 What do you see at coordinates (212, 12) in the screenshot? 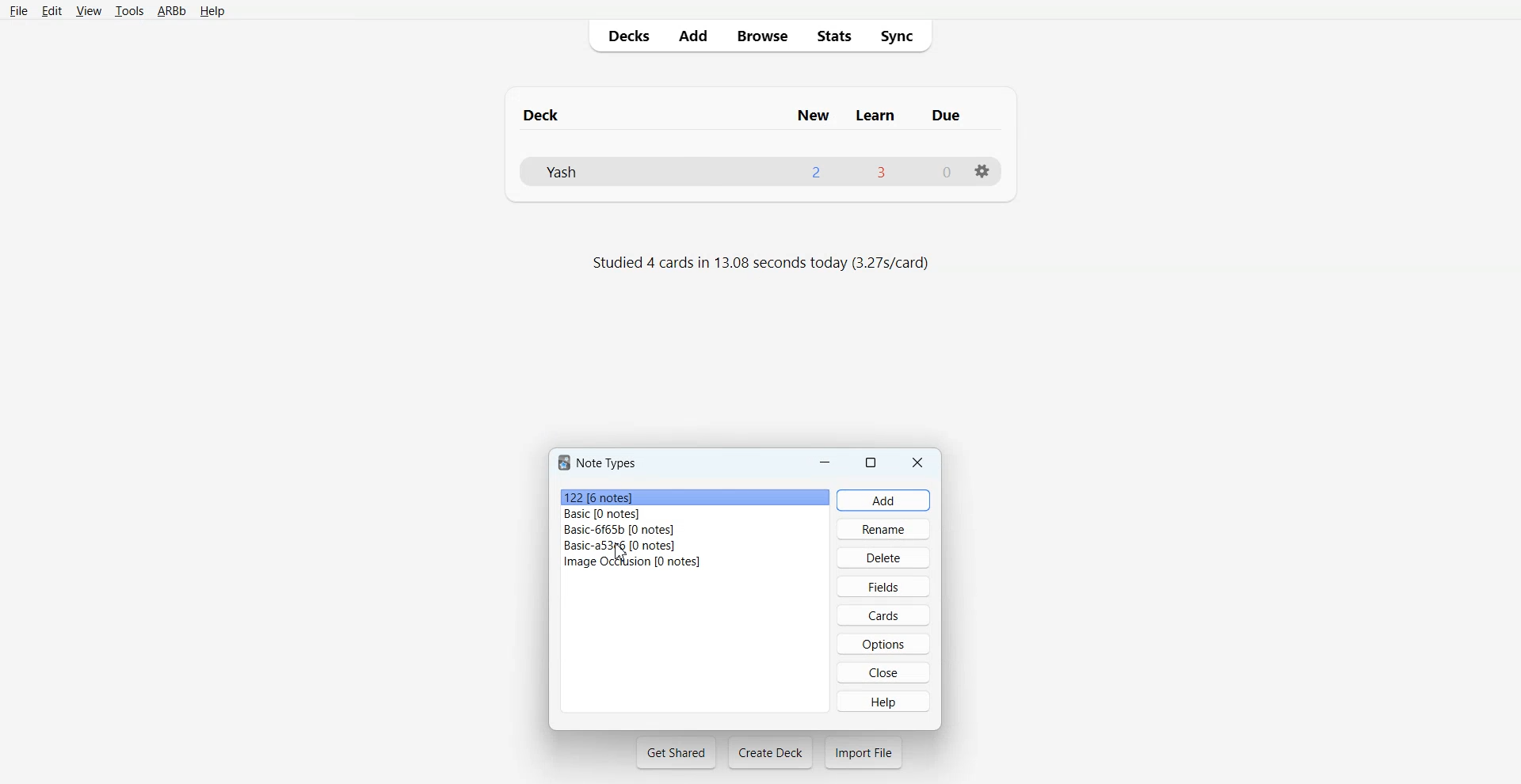
I see `Help` at bounding box center [212, 12].